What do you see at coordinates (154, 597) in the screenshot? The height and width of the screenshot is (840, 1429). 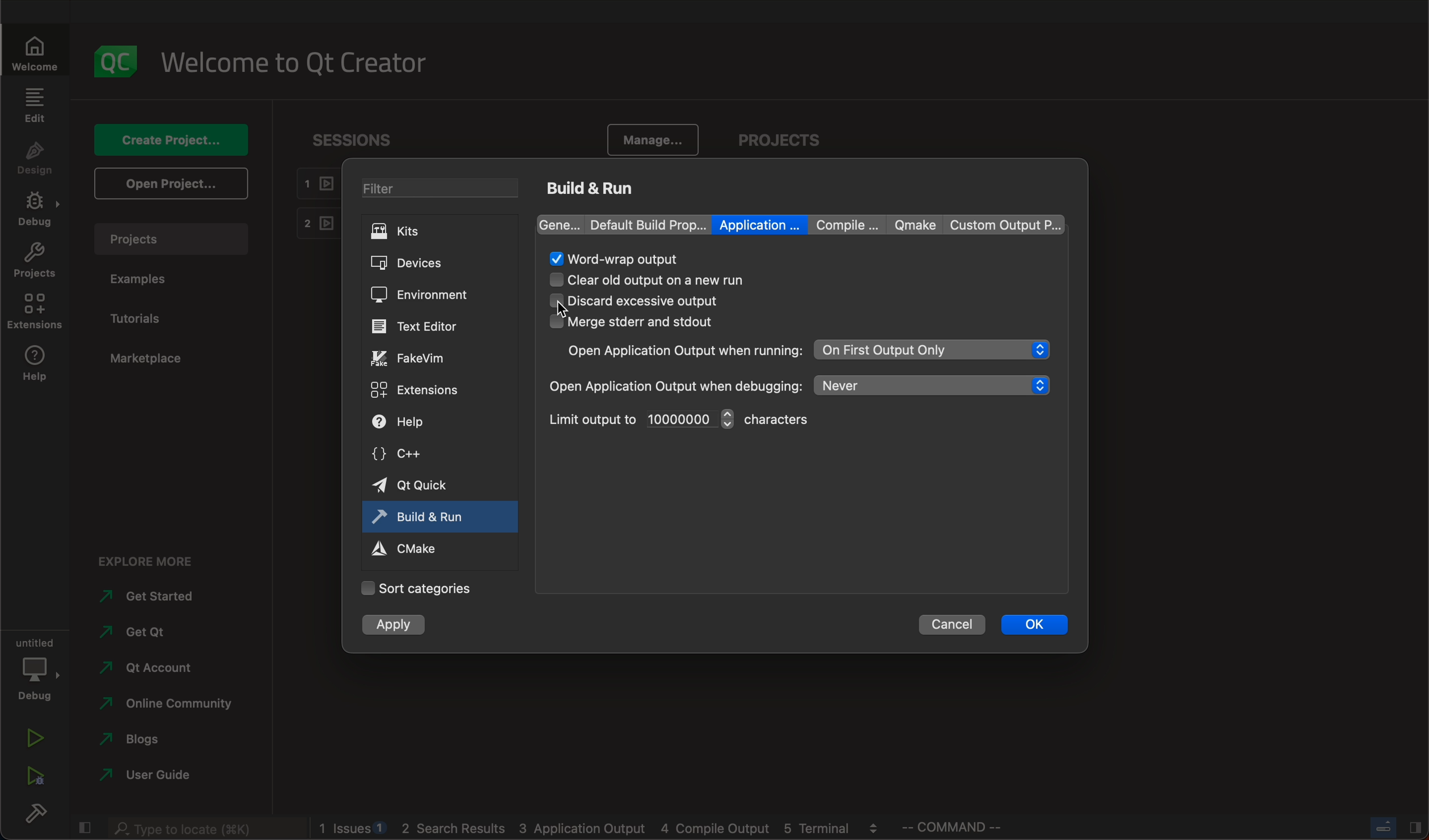 I see `started` at bounding box center [154, 597].